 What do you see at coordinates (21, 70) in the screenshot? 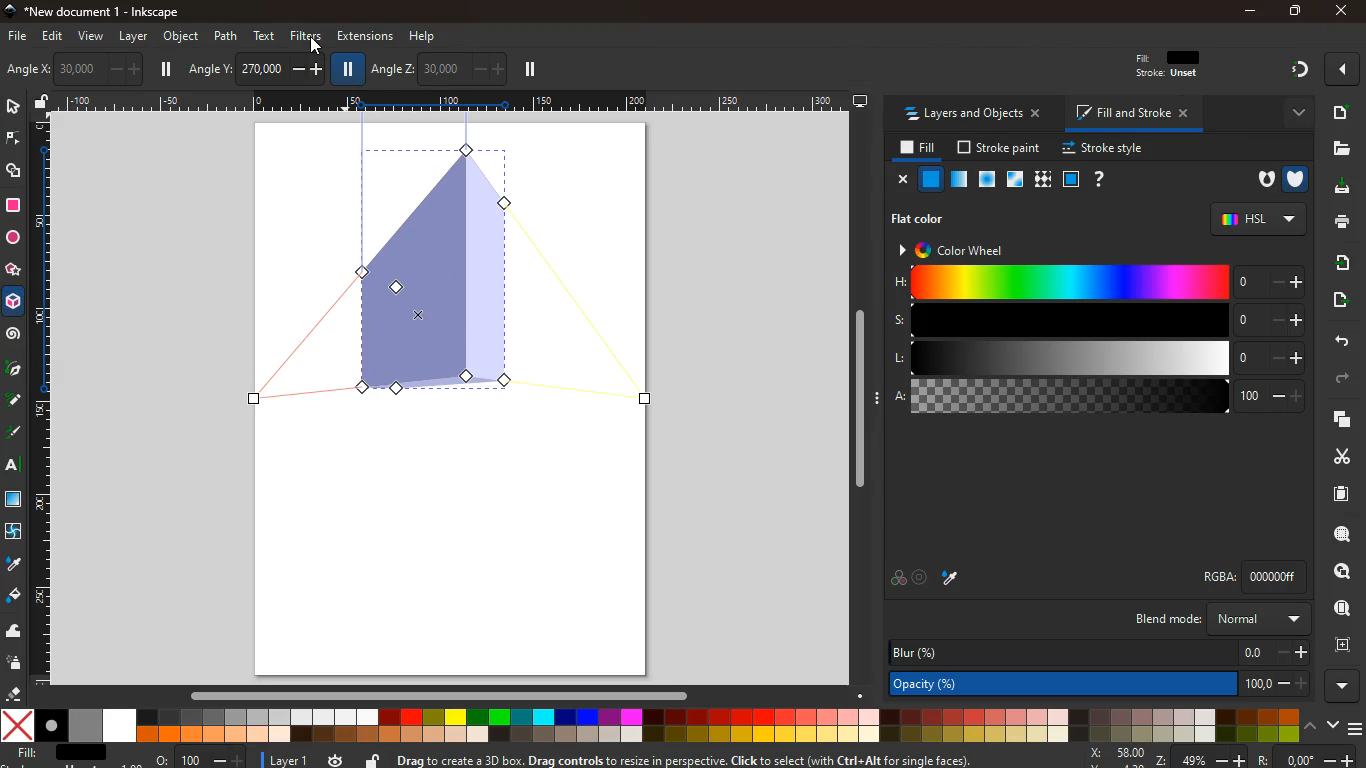
I see `photo` at bounding box center [21, 70].